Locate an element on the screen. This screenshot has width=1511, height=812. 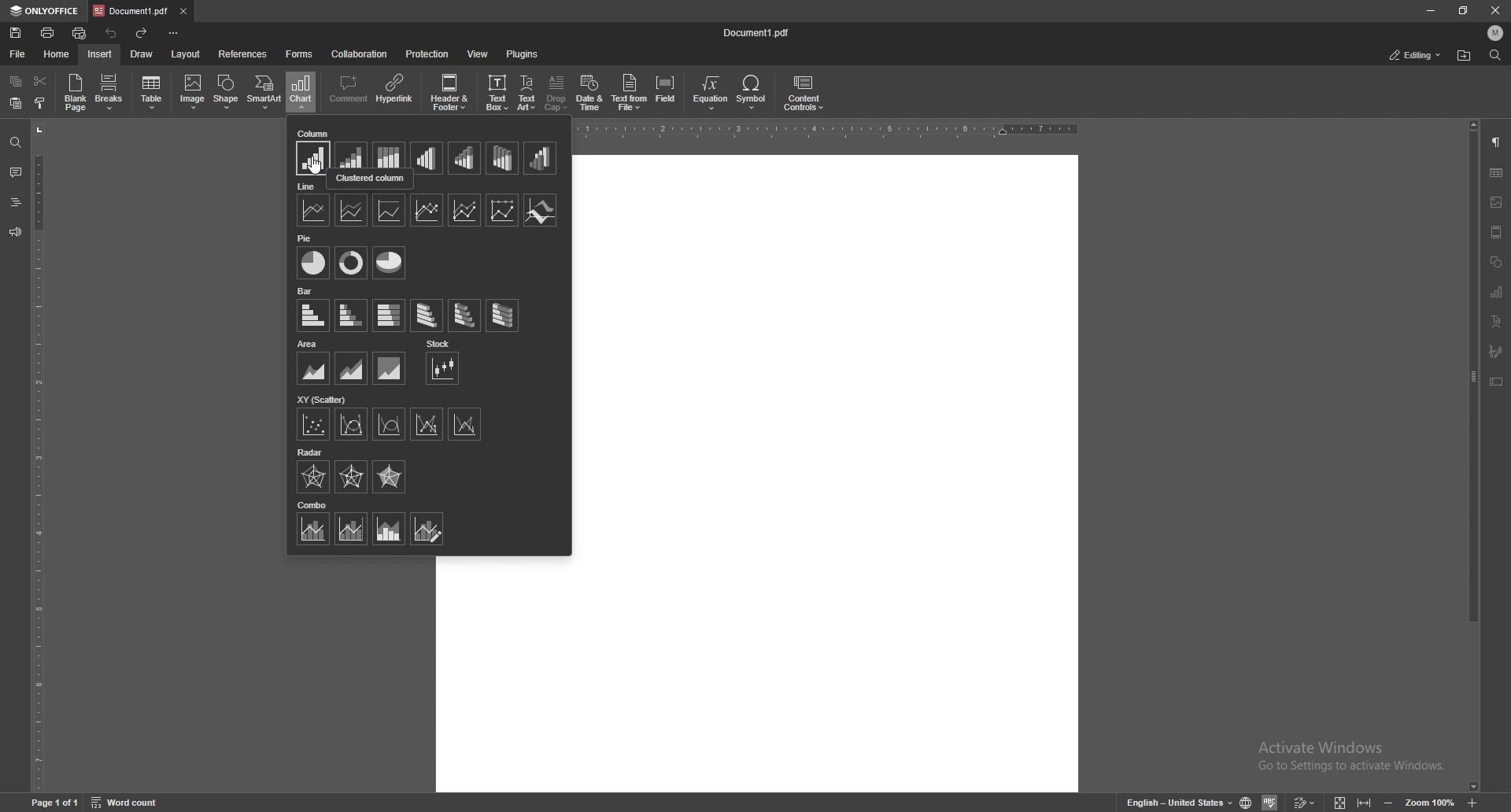
quick print is located at coordinates (79, 33).